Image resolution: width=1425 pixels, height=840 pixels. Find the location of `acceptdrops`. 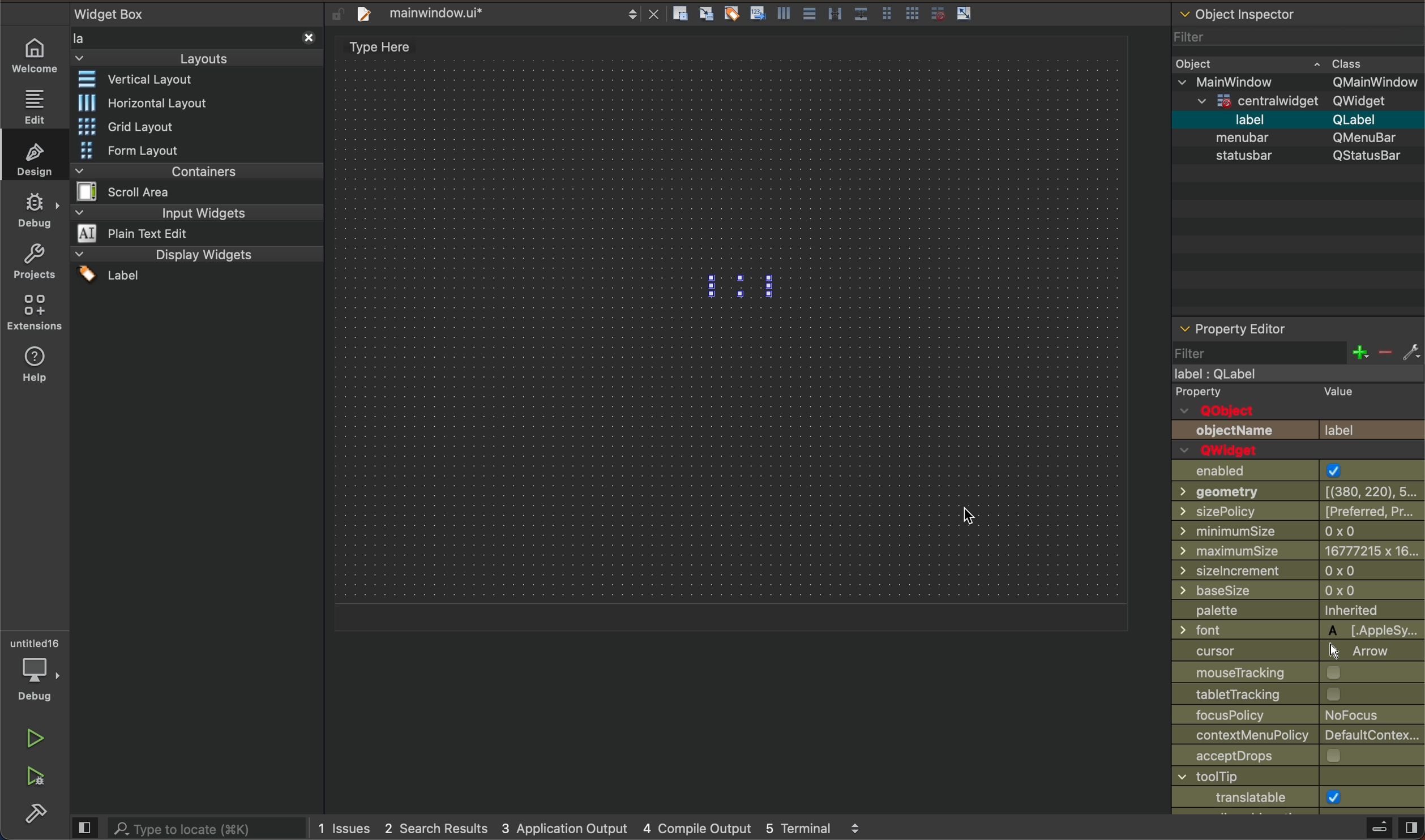

acceptdrops is located at coordinates (1298, 757).